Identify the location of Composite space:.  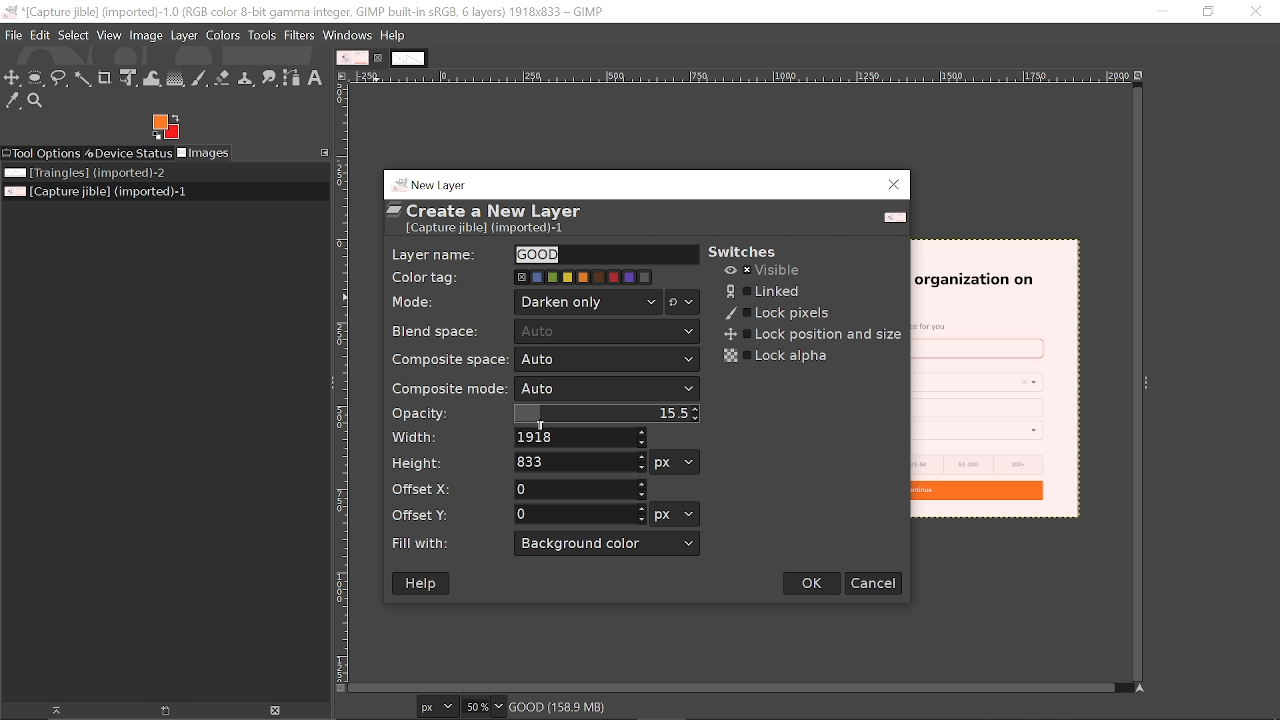
(441, 359).